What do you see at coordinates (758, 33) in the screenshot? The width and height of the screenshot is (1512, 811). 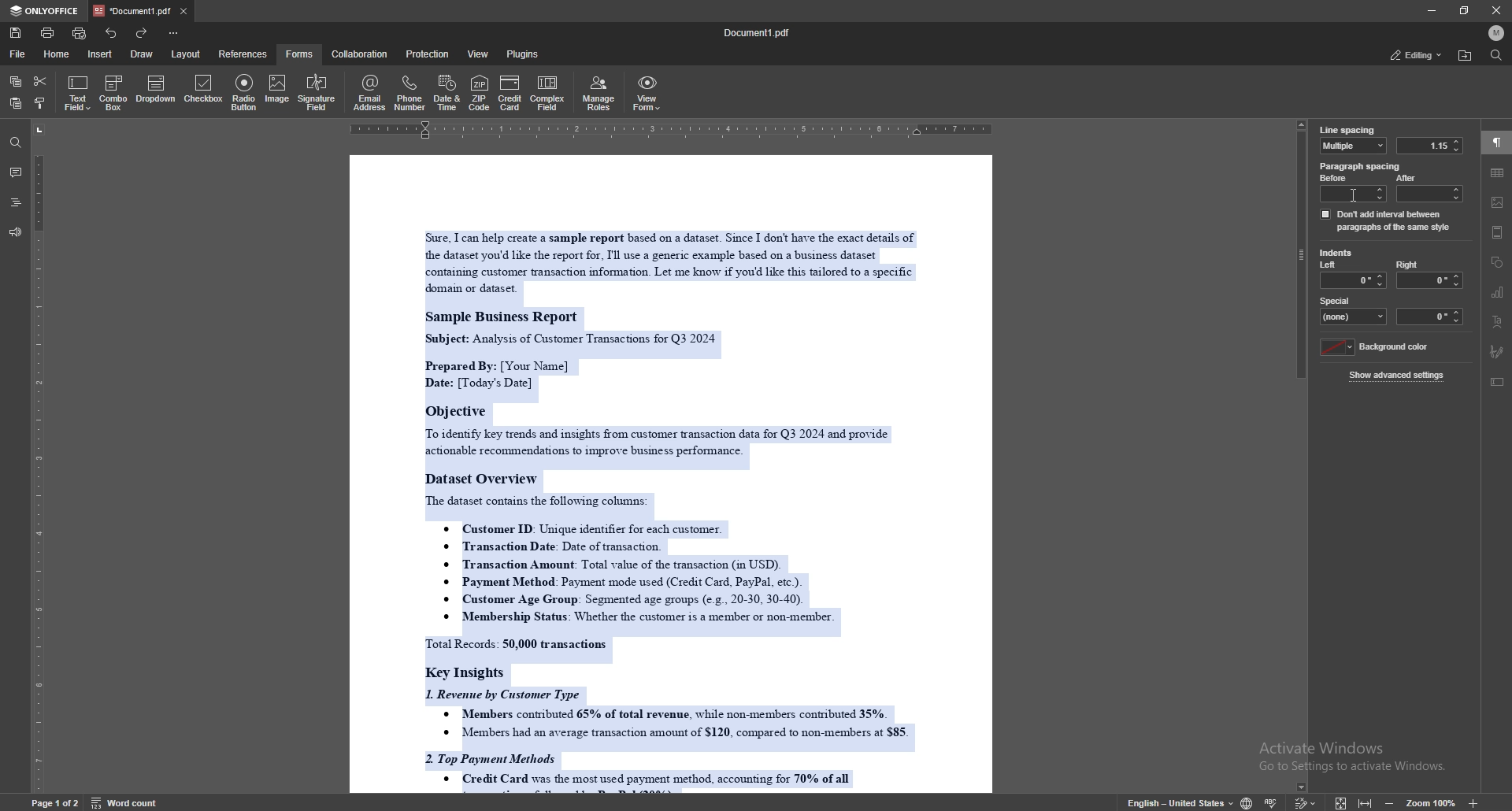 I see `file name` at bounding box center [758, 33].